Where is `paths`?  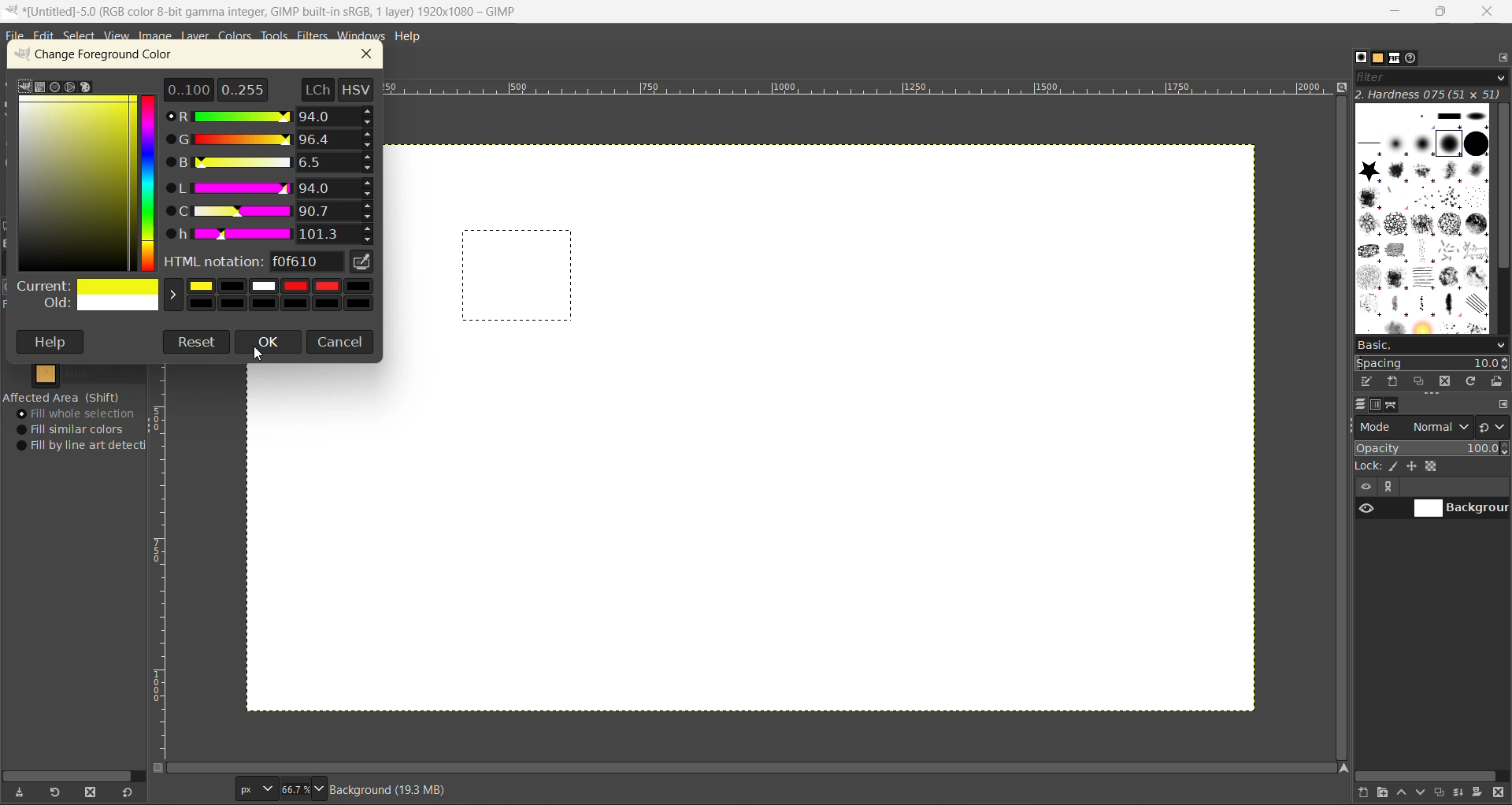 paths is located at coordinates (1394, 406).